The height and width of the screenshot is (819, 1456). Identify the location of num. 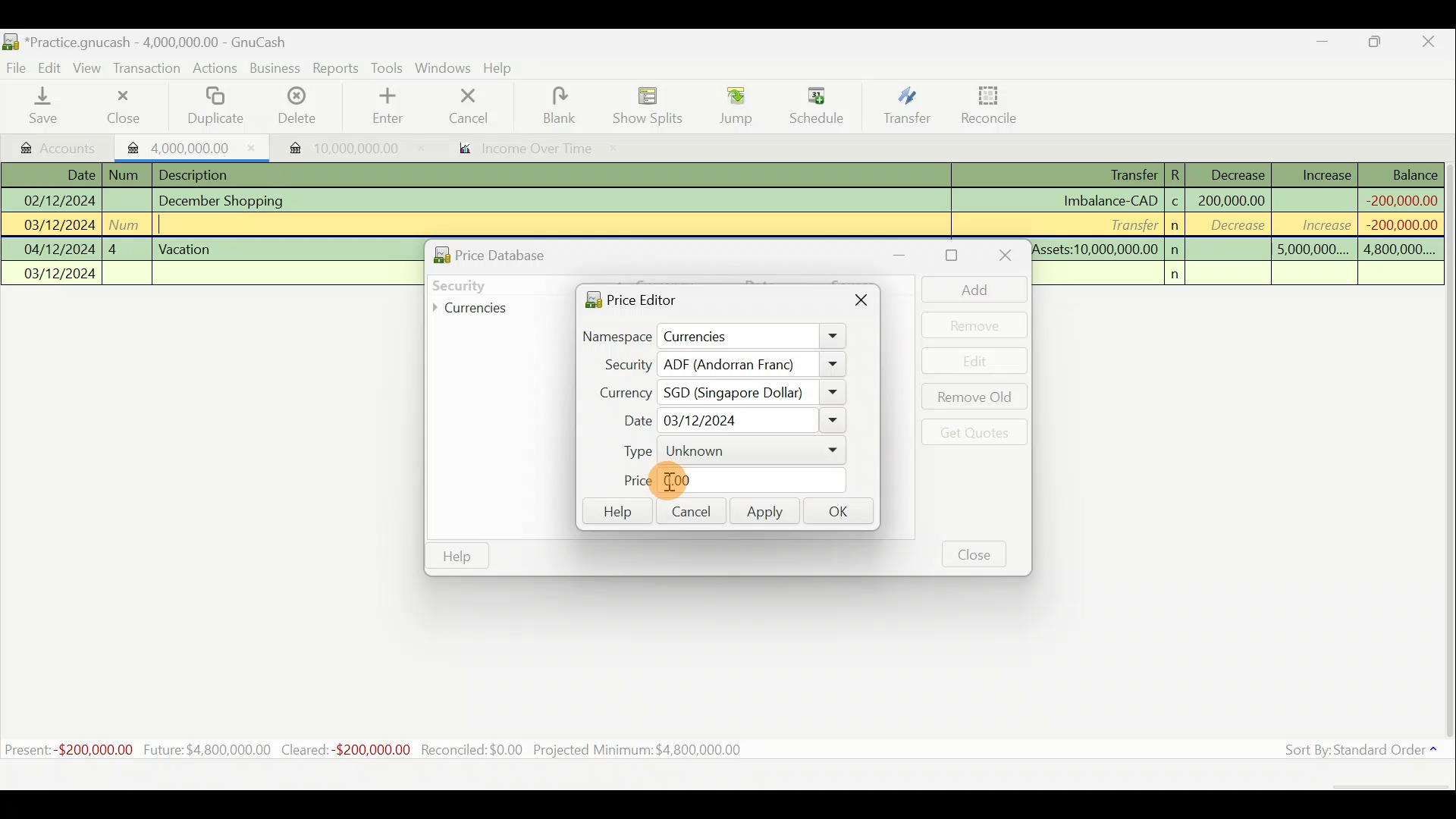
(128, 224).